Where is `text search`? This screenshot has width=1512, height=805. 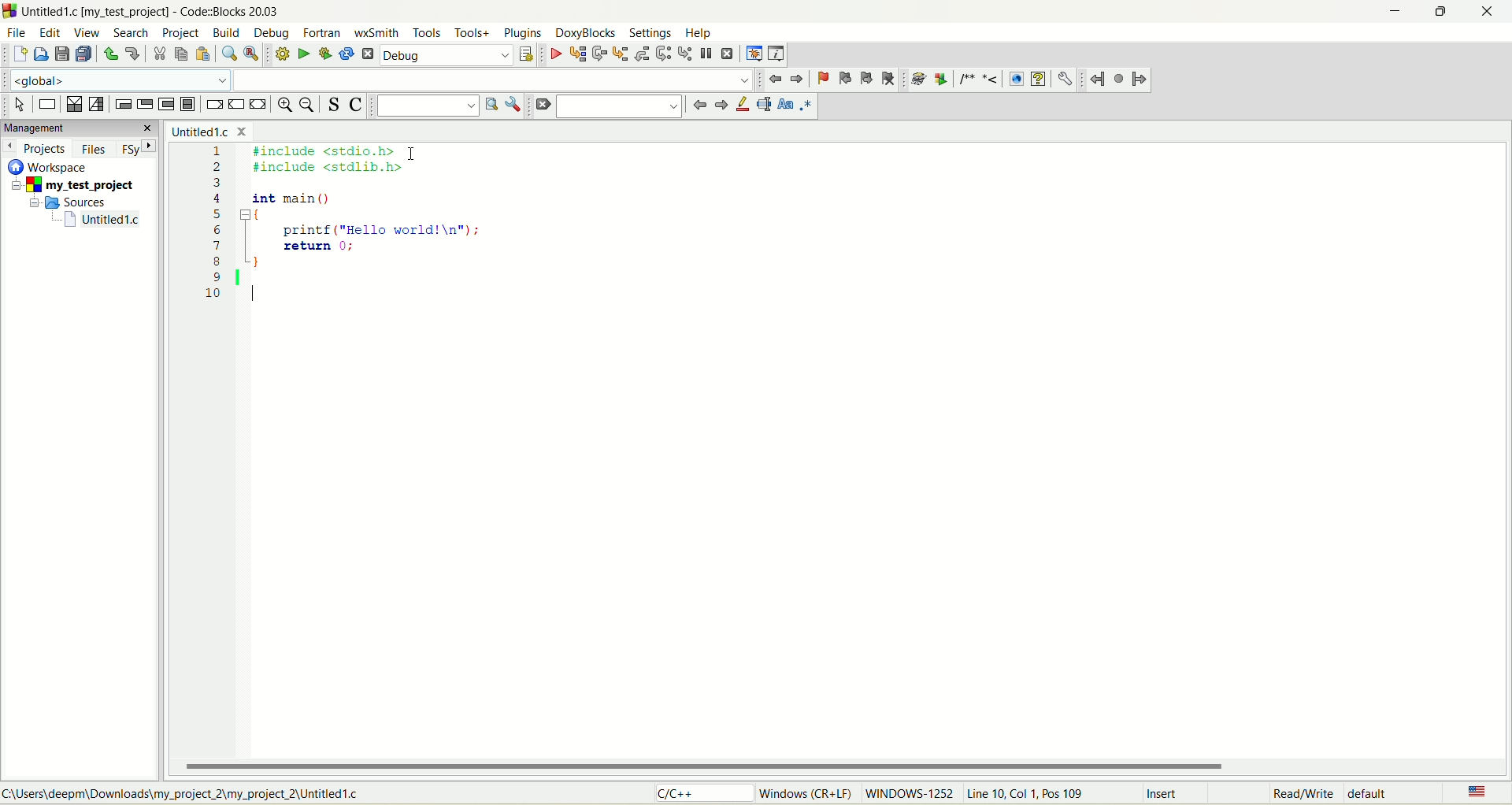
text search is located at coordinates (426, 106).